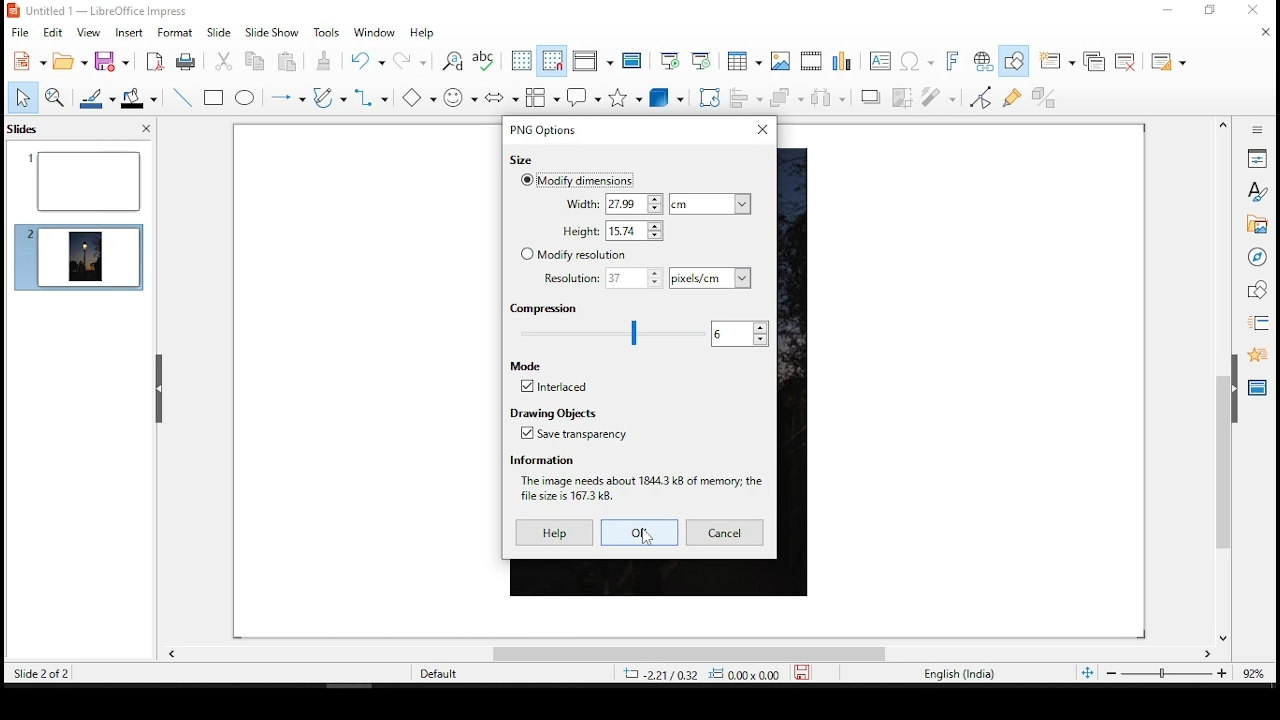  Describe the element at coordinates (186, 62) in the screenshot. I see `print` at that location.